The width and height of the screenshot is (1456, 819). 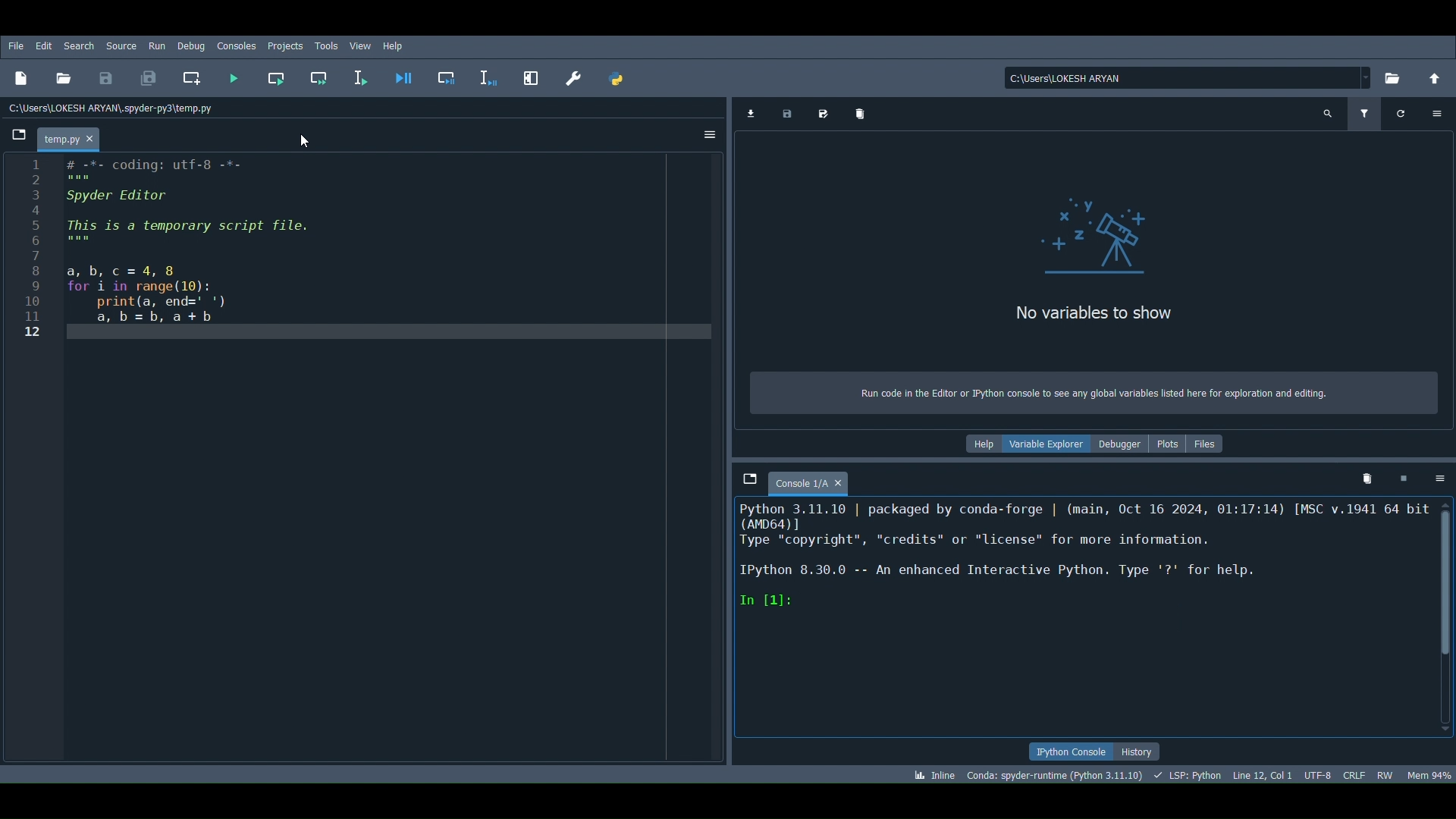 What do you see at coordinates (705, 138) in the screenshot?
I see `Options` at bounding box center [705, 138].